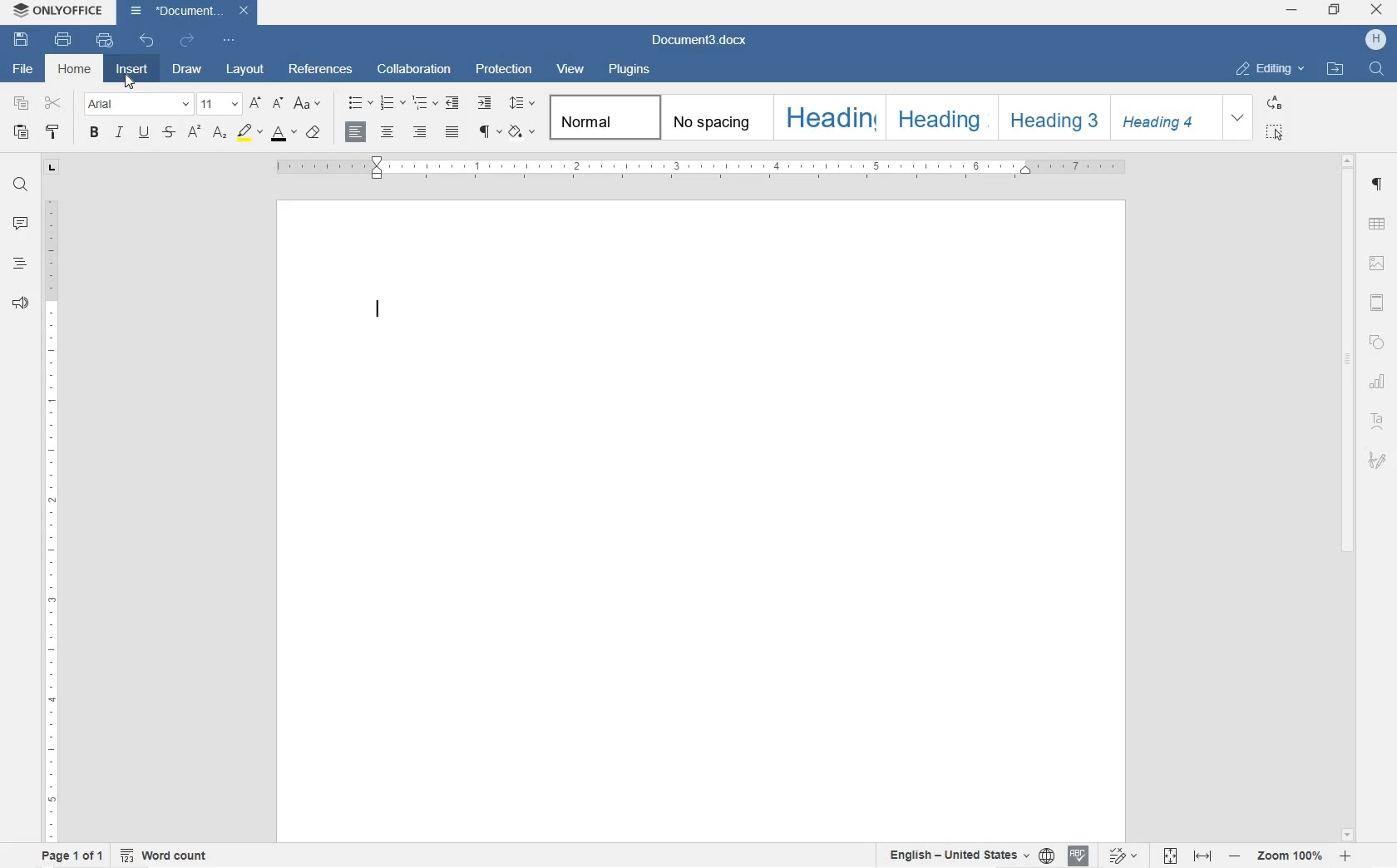 The height and width of the screenshot is (868, 1397). I want to click on Document3.docx, so click(190, 11).